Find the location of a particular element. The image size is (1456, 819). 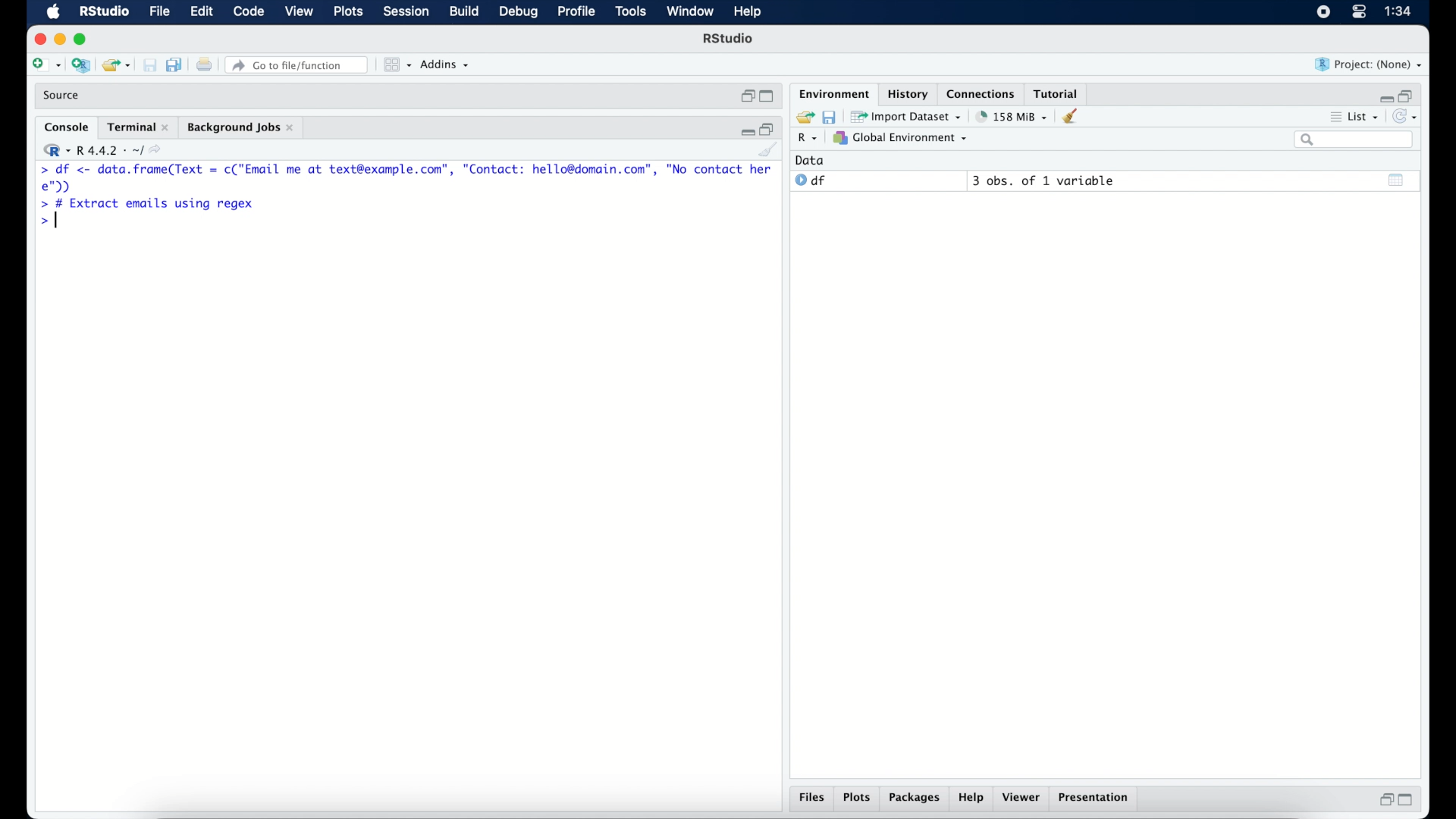

open existing project is located at coordinates (115, 64).